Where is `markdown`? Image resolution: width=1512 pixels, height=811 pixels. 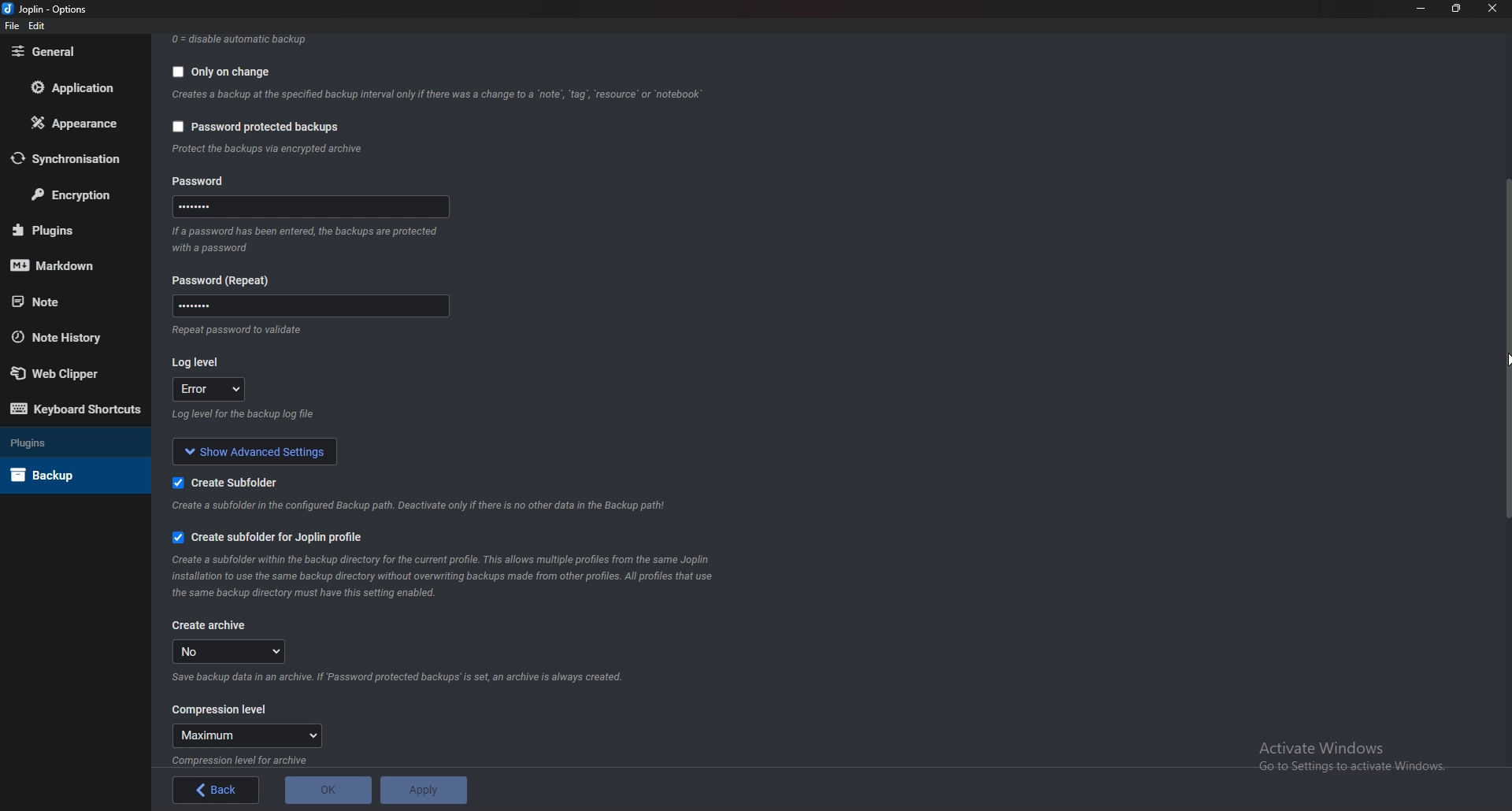
markdown is located at coordinates (69, 264).